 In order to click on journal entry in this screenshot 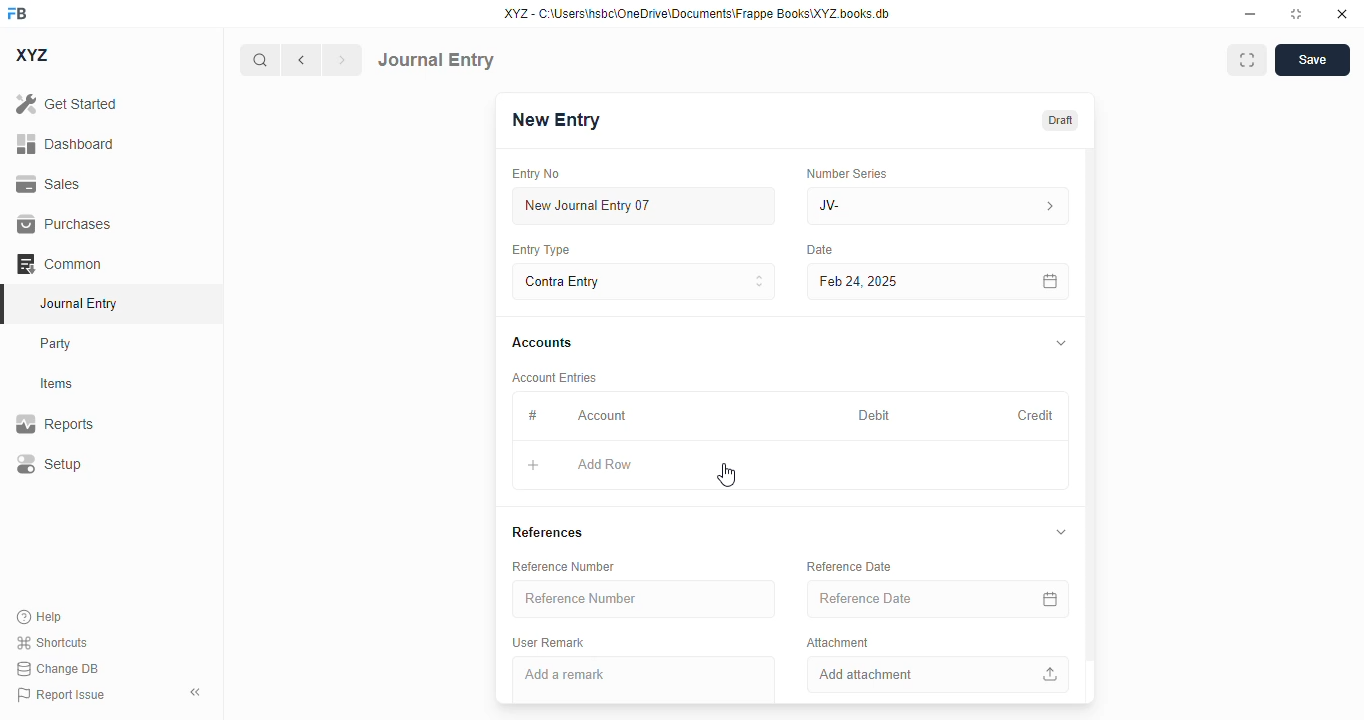, I will do `click(436, 60)`.